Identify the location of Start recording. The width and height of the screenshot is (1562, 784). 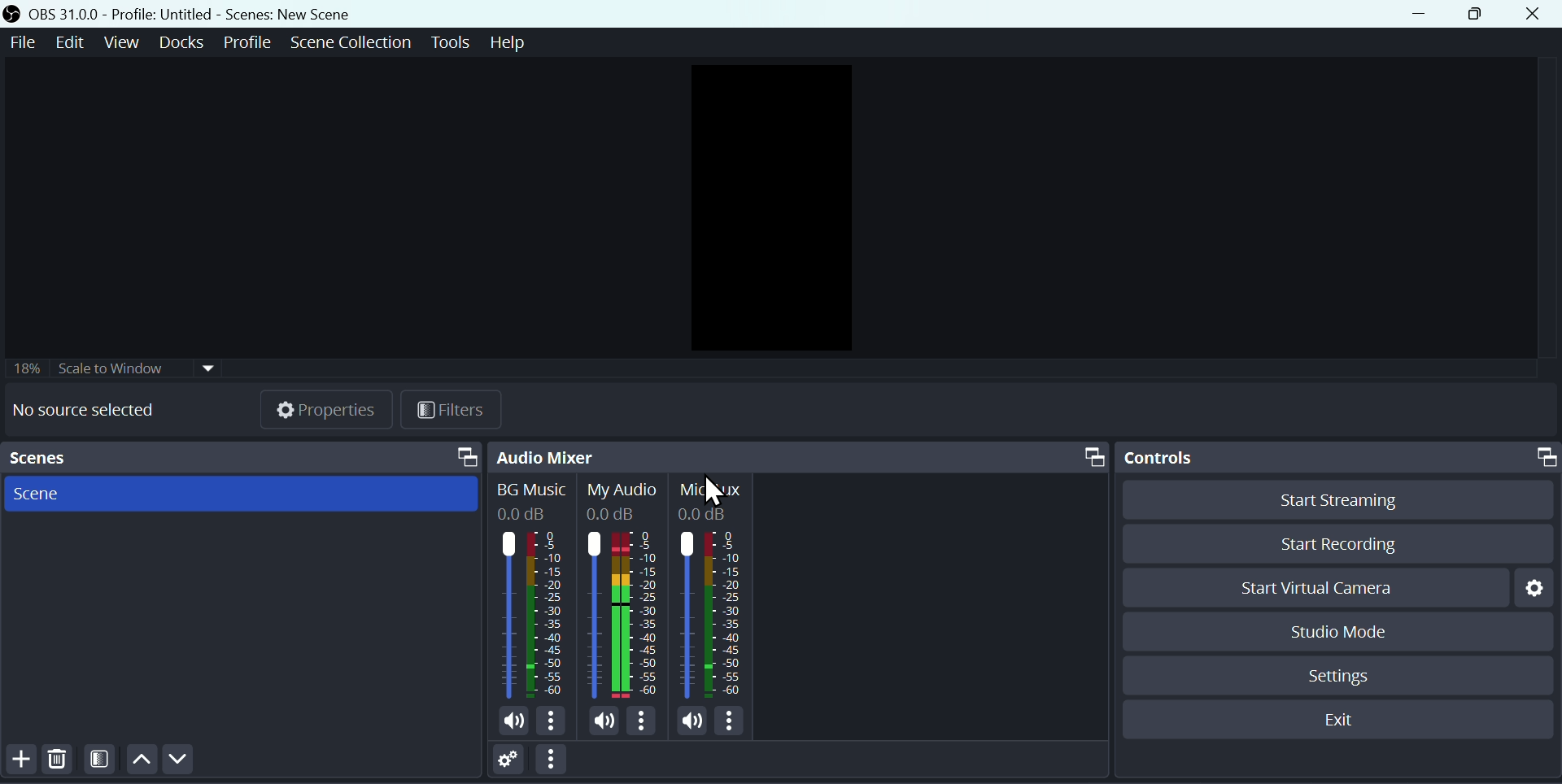
(1328, 544).